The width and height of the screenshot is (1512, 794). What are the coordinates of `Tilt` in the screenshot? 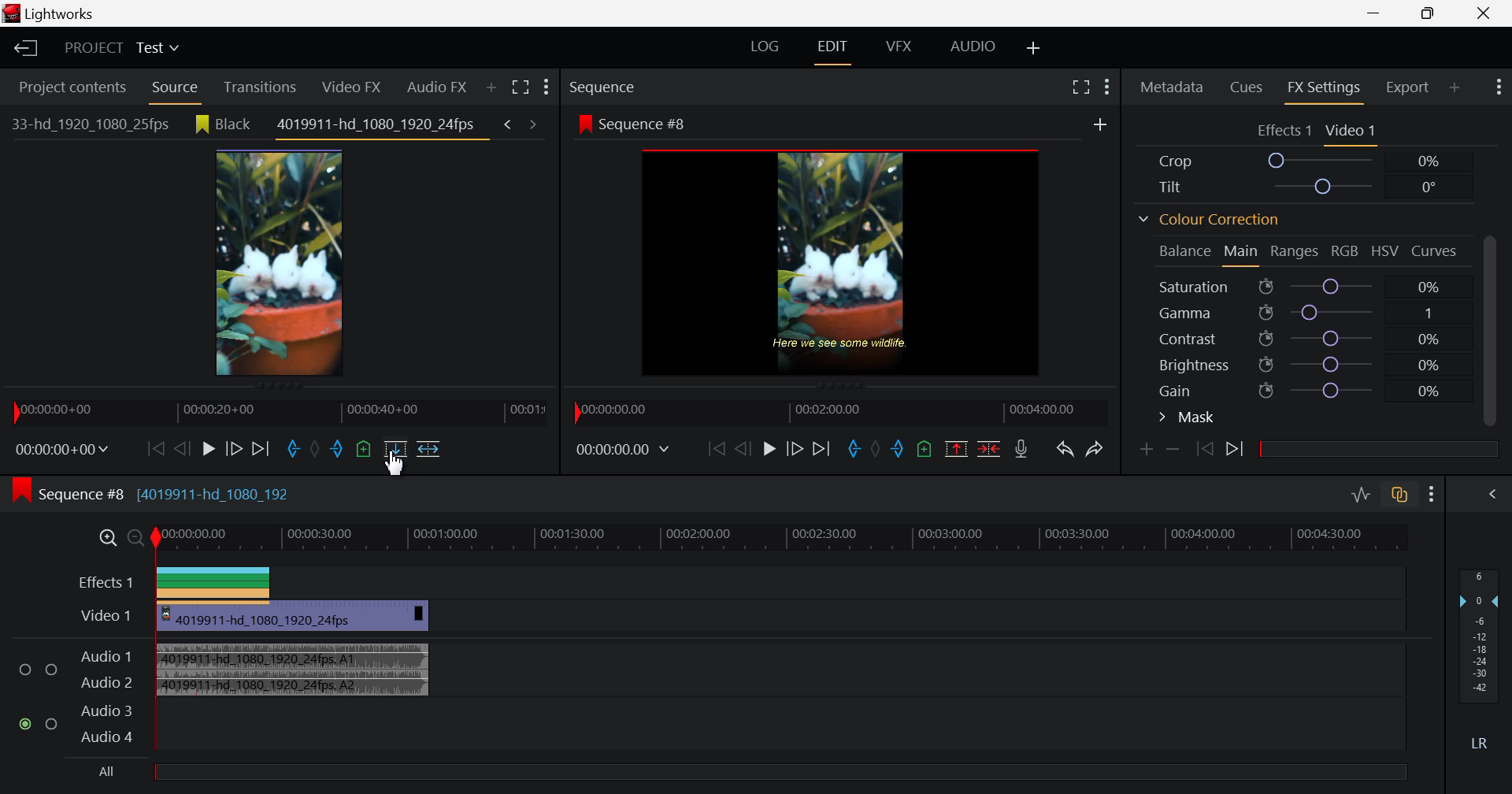 It's located at (1301, 186).